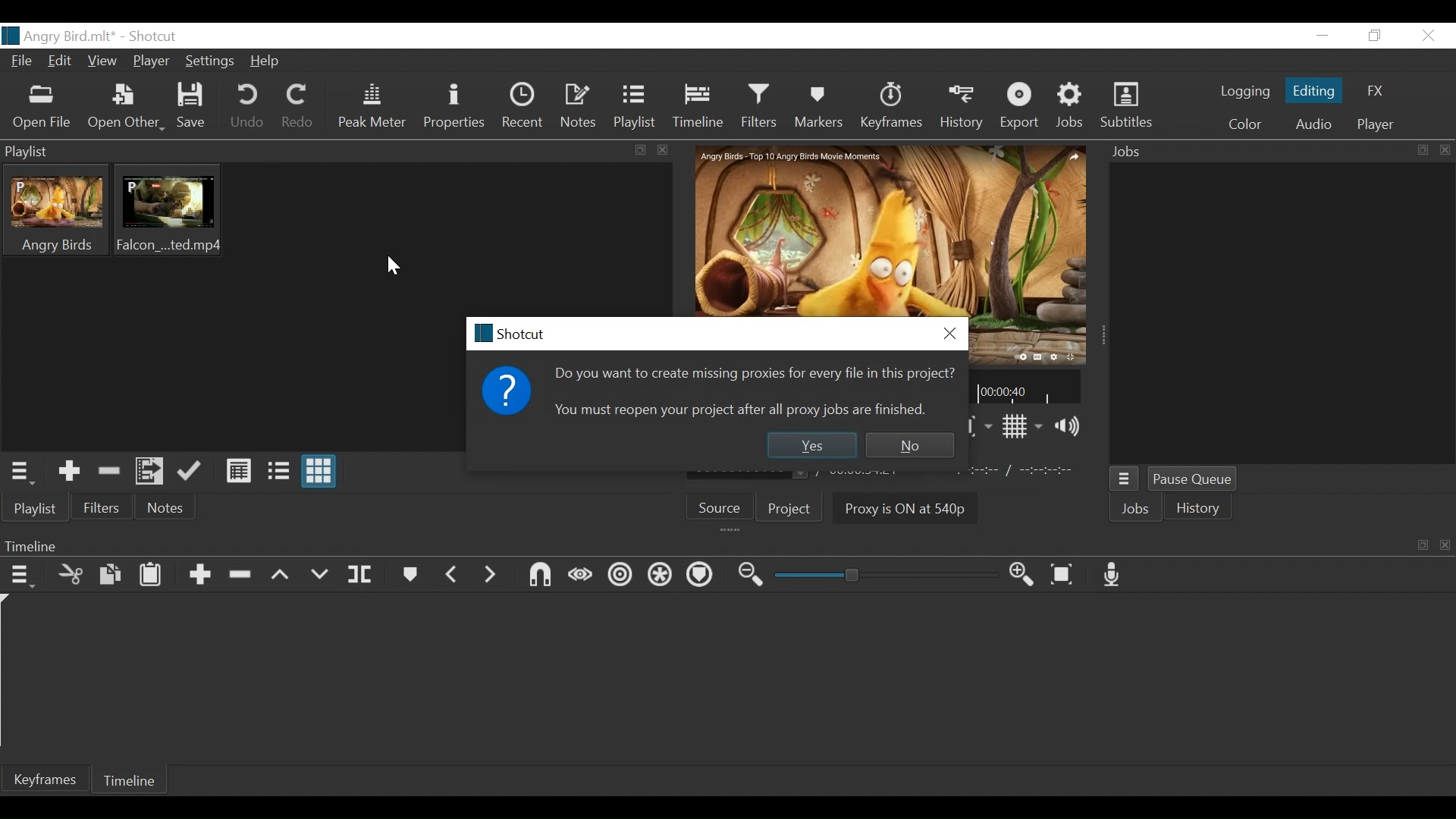 Image resolution: width=1456 pixels, height=819 pixels. I want to click on Cursor, so click(221, 68).